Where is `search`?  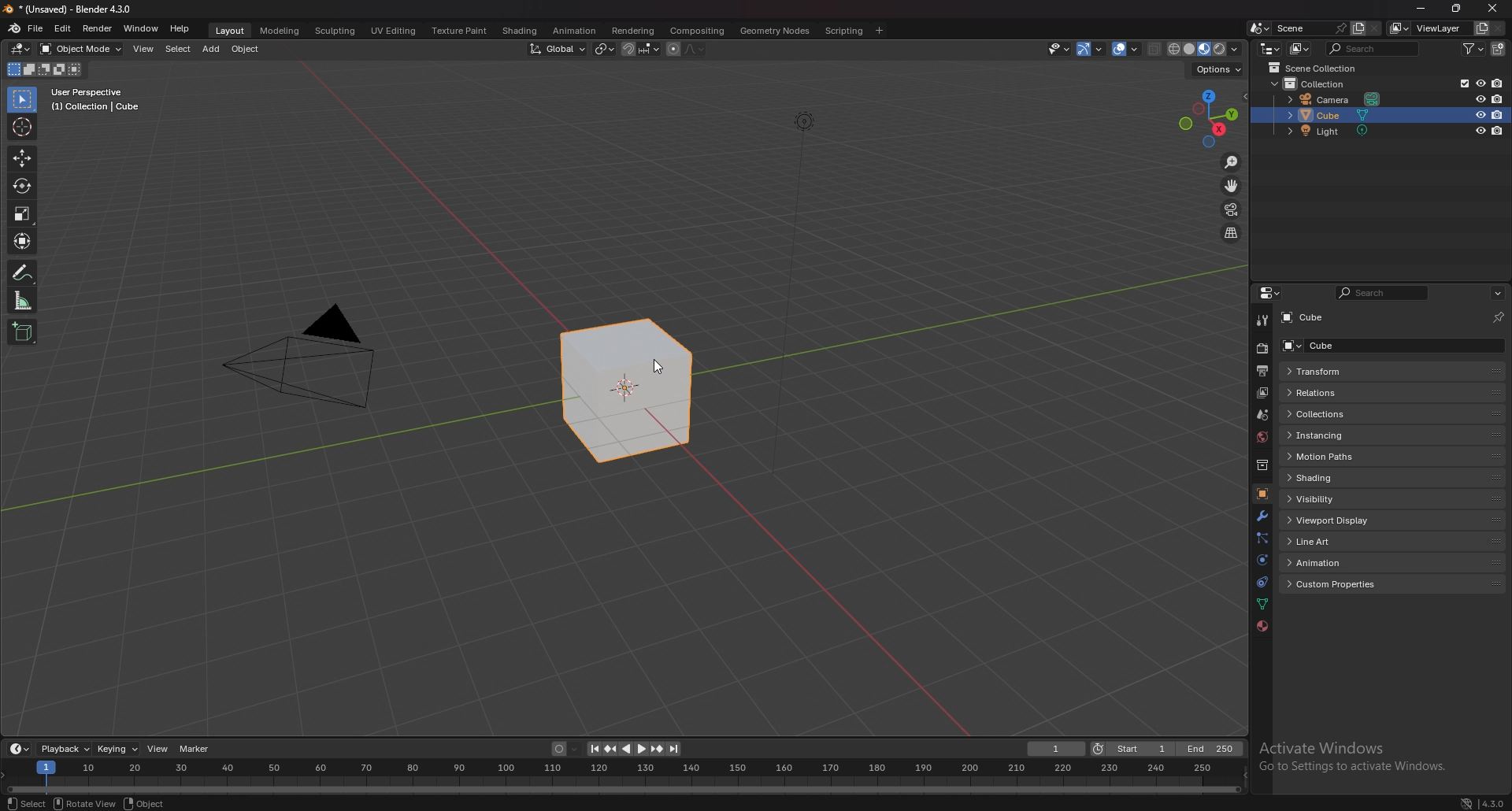
search is located at coordinates (1381, 292).